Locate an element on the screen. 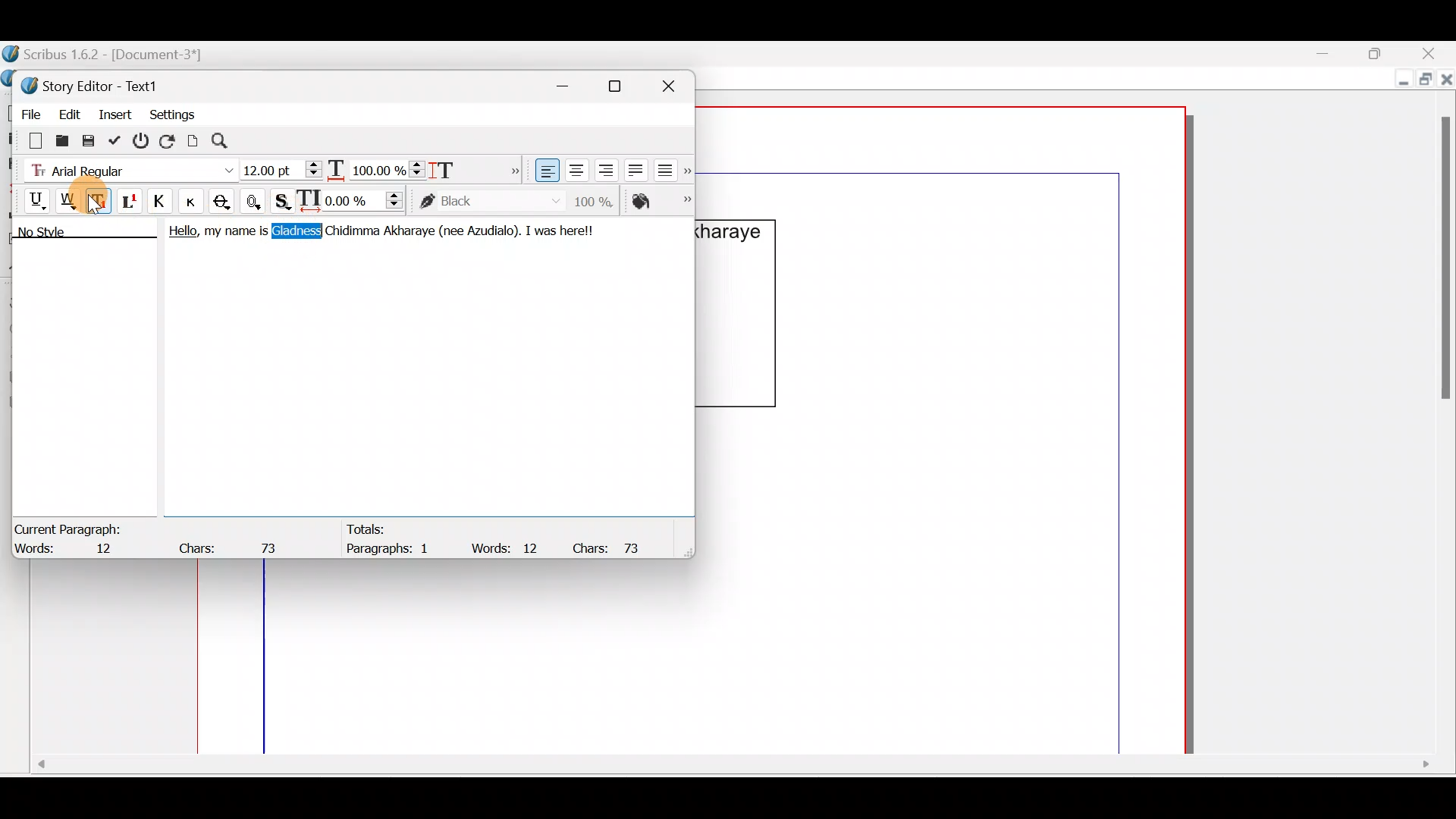 This screenshot has width=1456, height=819. Align text force justified is located at coordinates (670, 167).